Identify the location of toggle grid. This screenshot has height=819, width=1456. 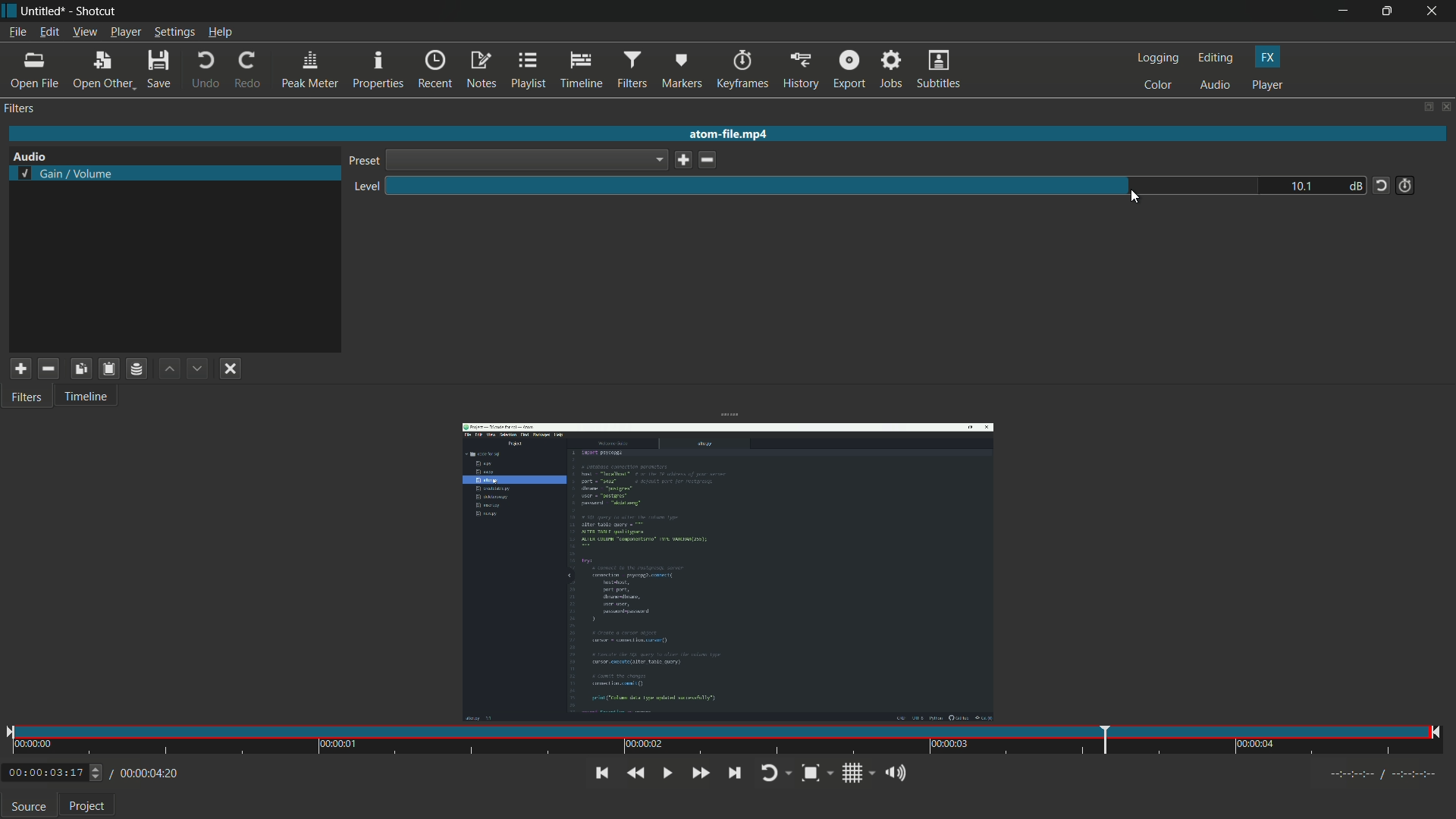
(859, 774).